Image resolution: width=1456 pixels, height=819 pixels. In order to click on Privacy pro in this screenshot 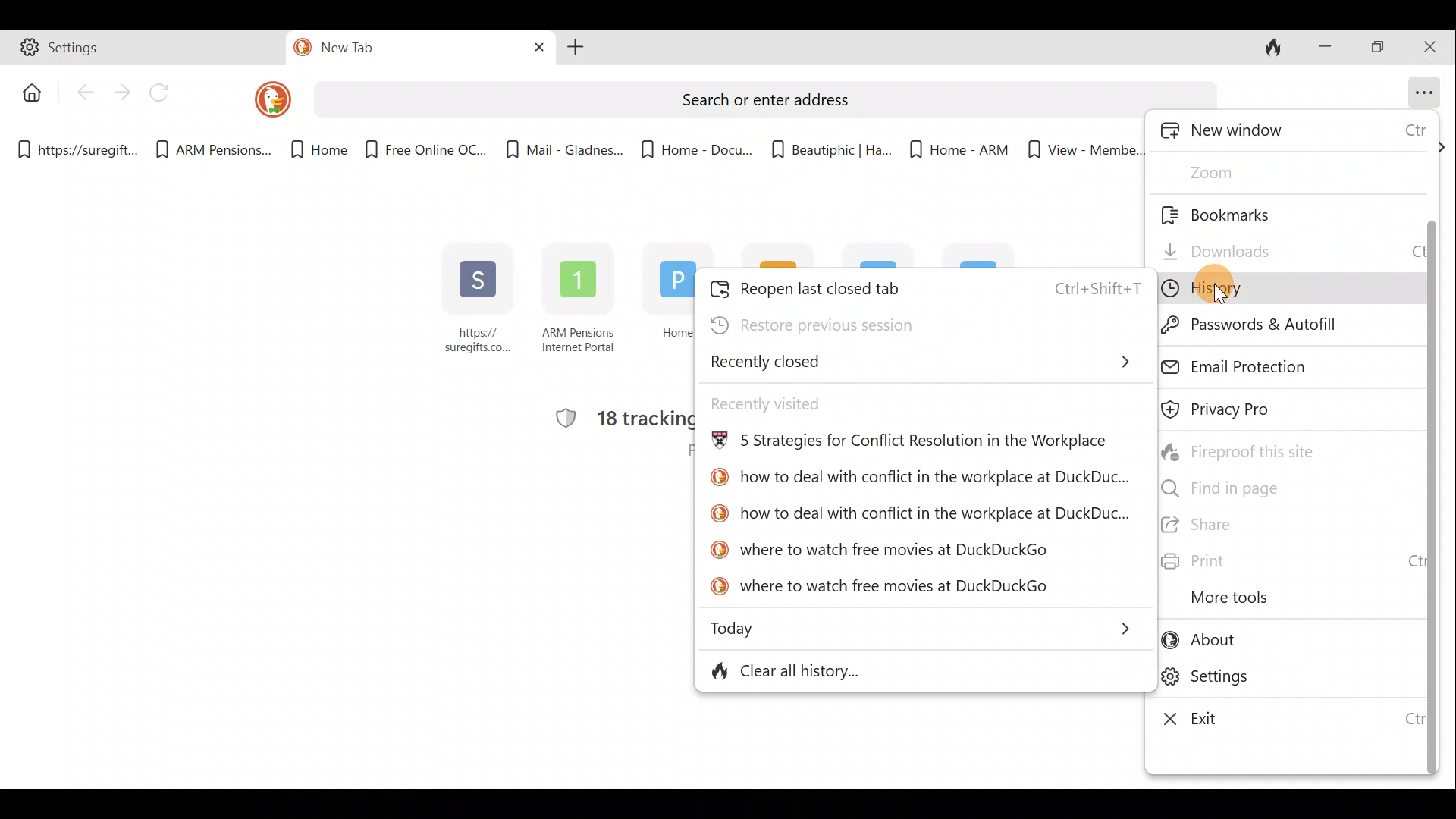, I will do `click(1249, 410)`.